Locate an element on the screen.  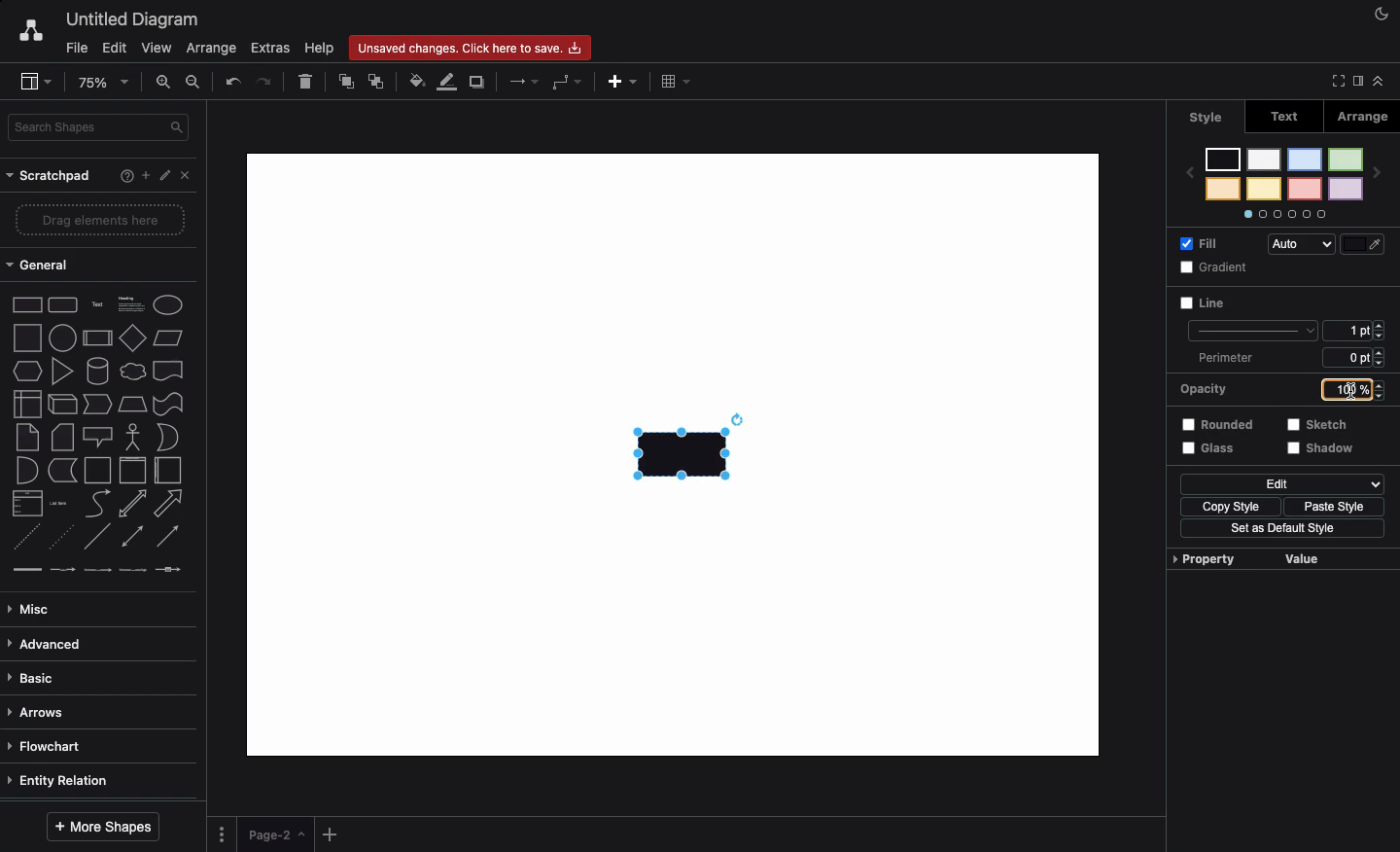
Line is located at coordinates (1209, 307).